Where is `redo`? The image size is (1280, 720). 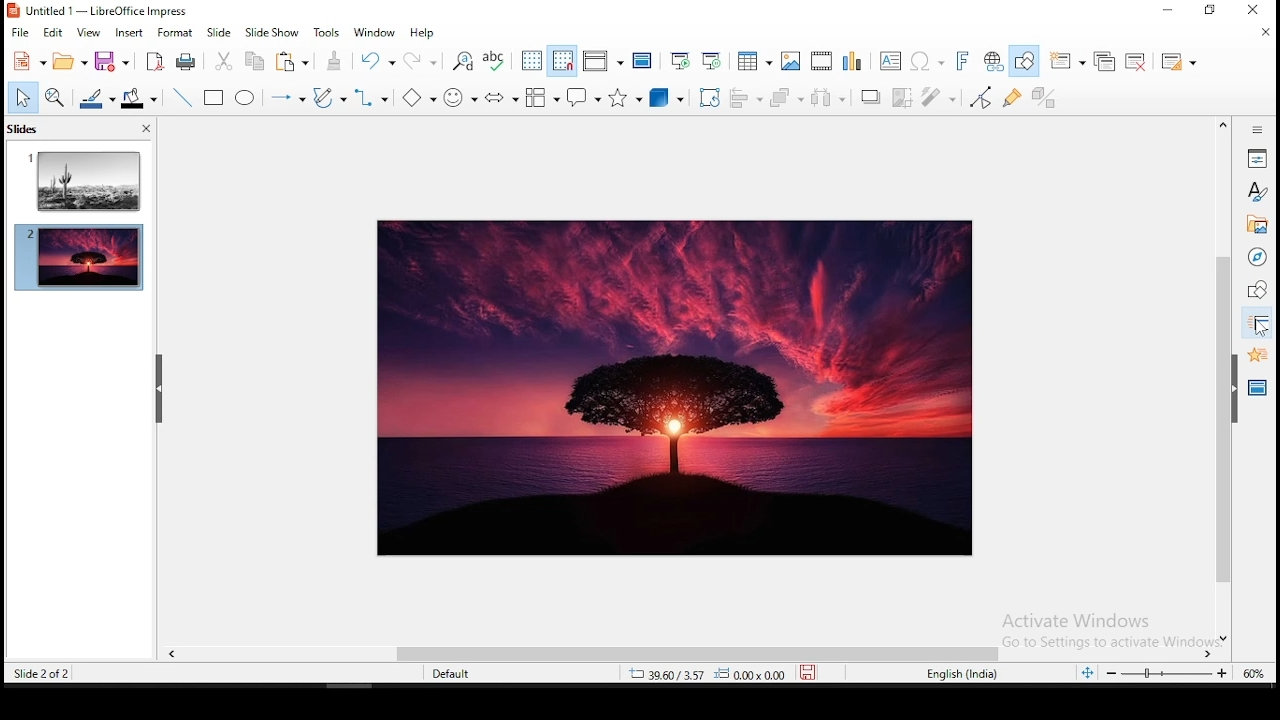 redo is located at coordinates (423, 61).